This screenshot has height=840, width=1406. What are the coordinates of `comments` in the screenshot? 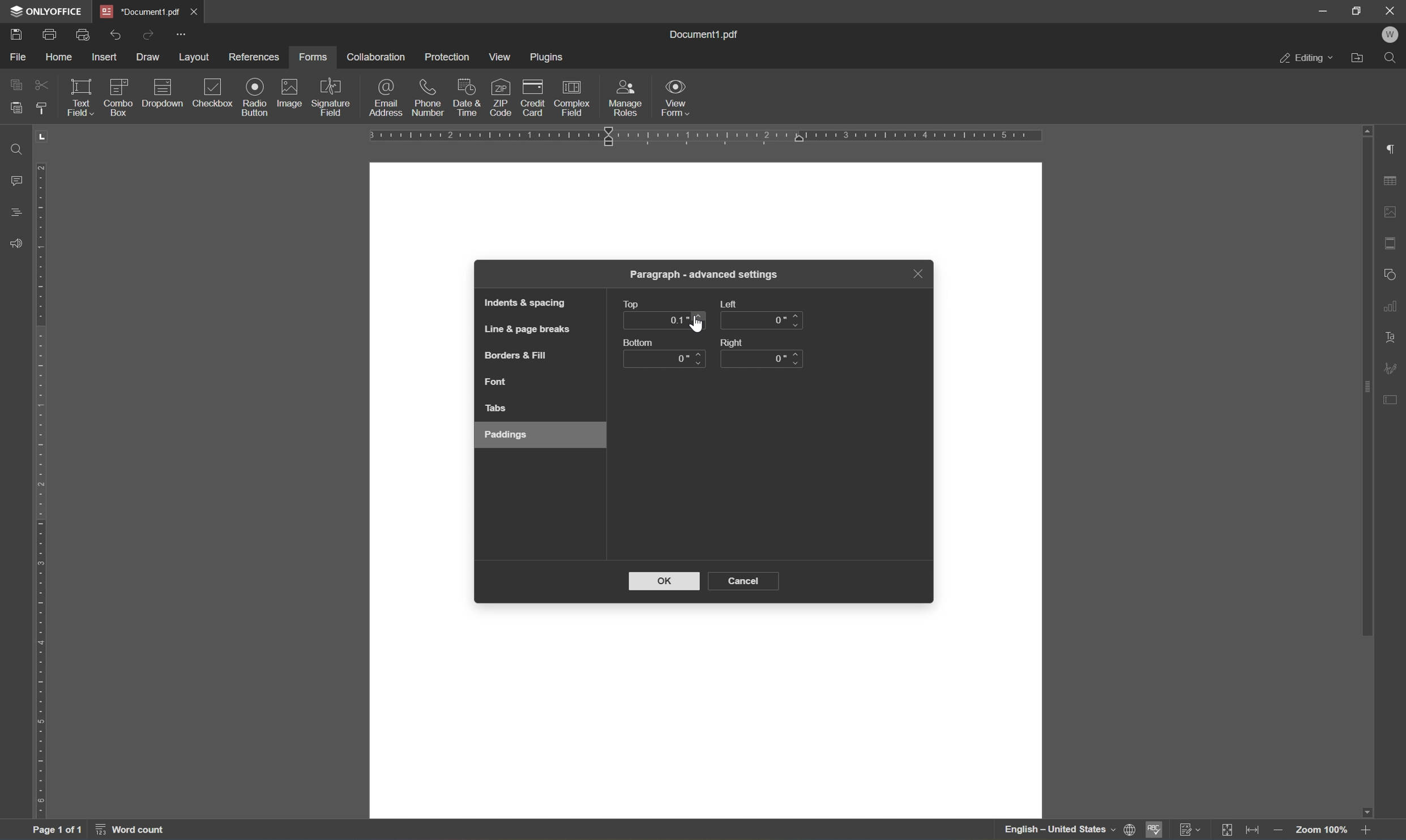 It's located at (15, 179).